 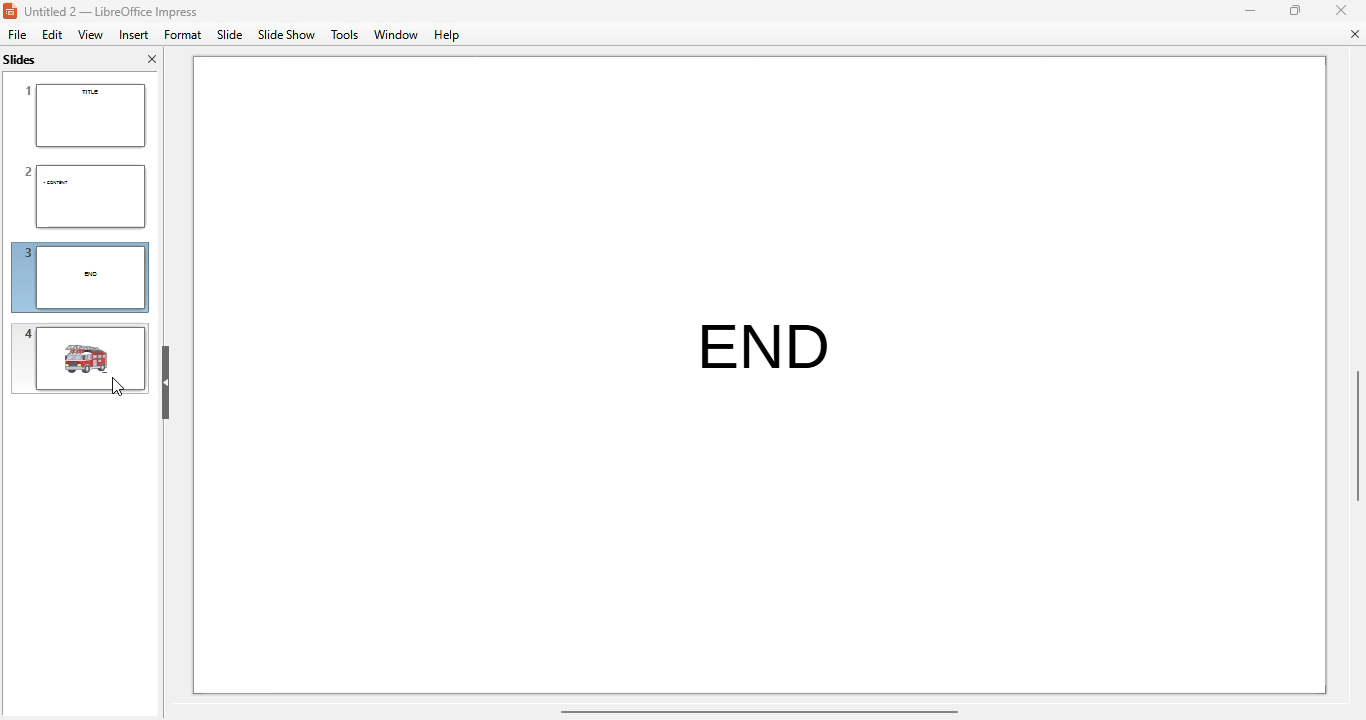 I want to click on close, so click(x=1341, y=9).